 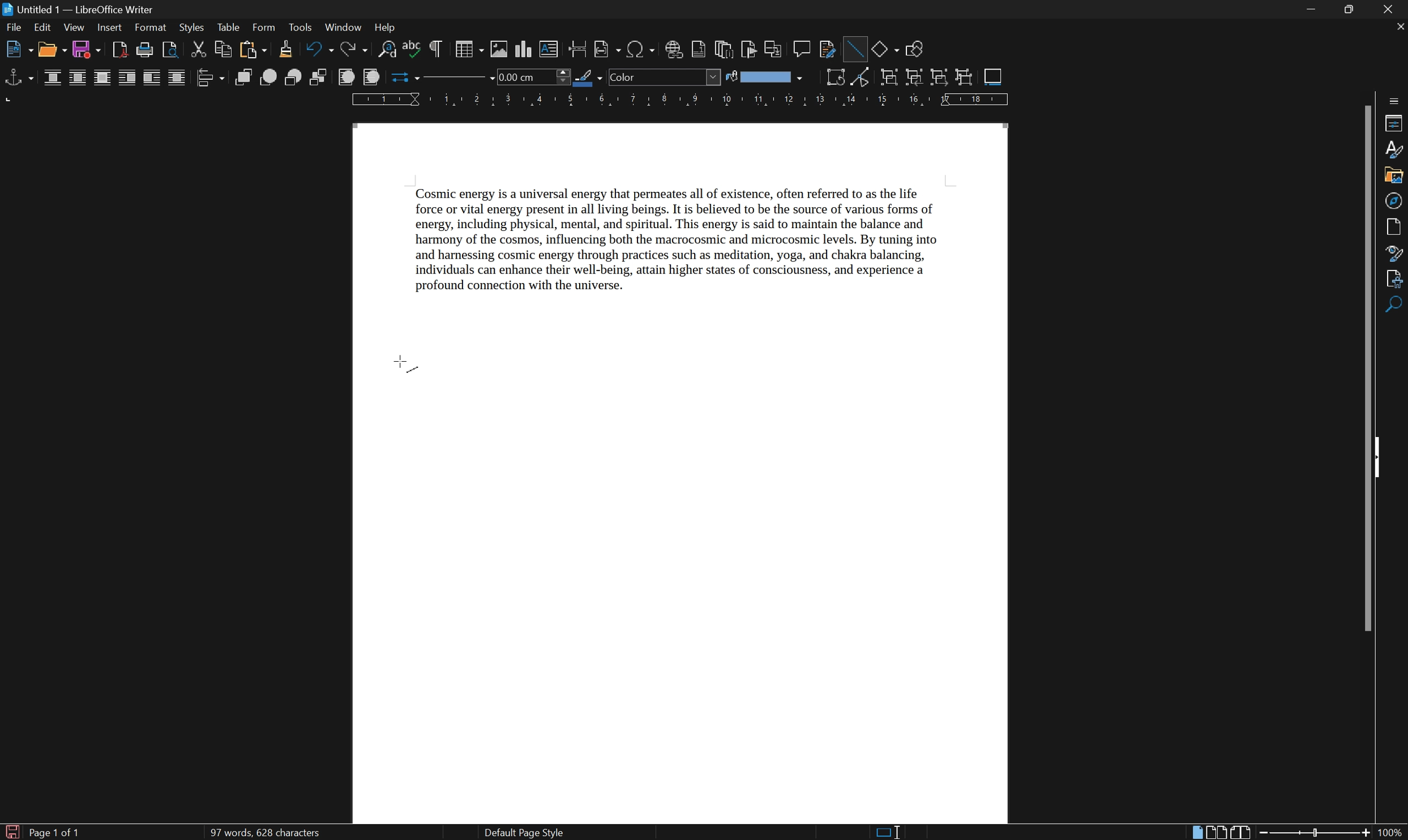 I want to click on insert table, so click(x=468, y=49).